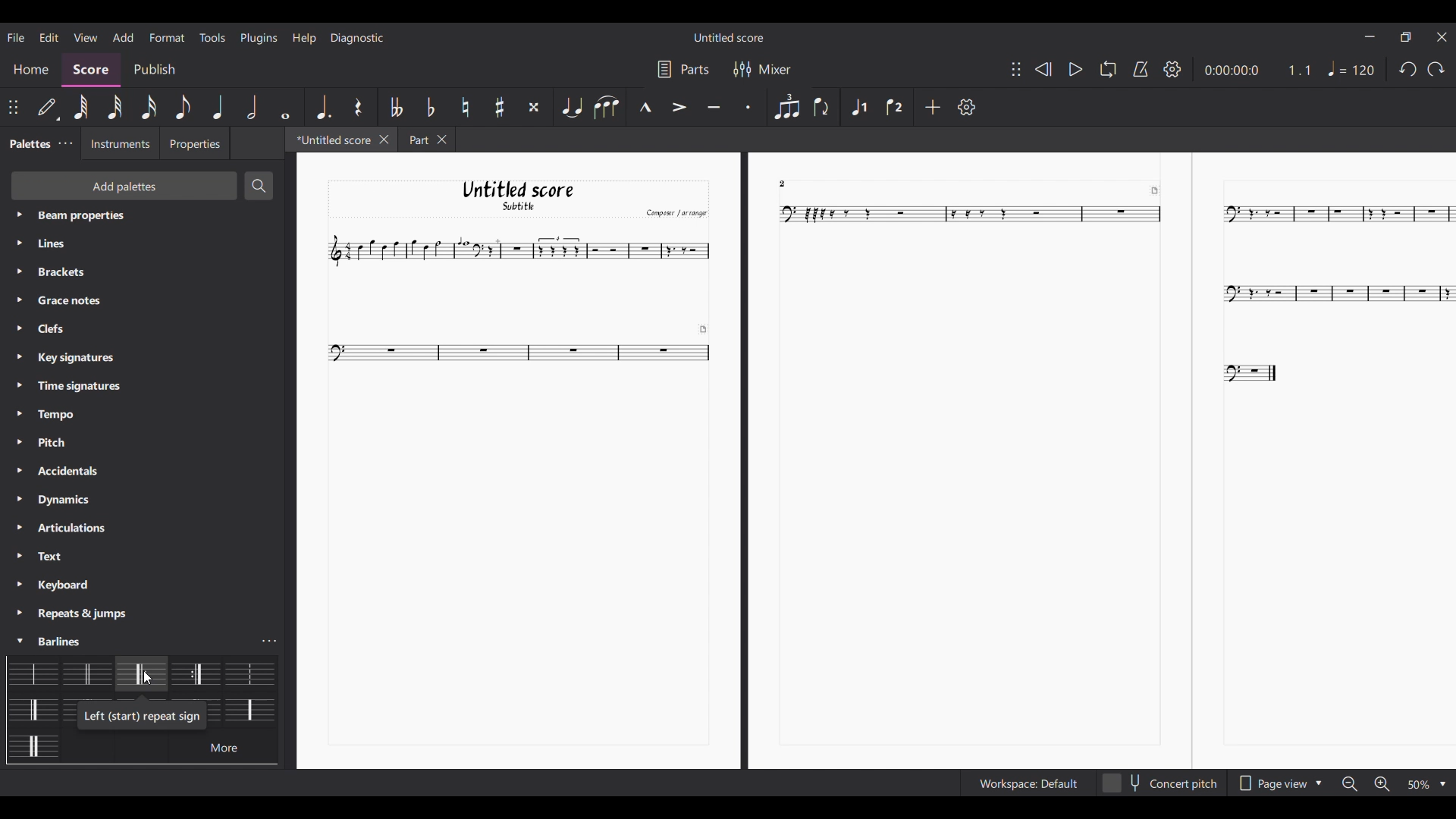 The height and width of the screenshot is (819, 1456). Describe the element at coordinates (1109, 69) in the screenshot. I see `Loop playback ` at that location.